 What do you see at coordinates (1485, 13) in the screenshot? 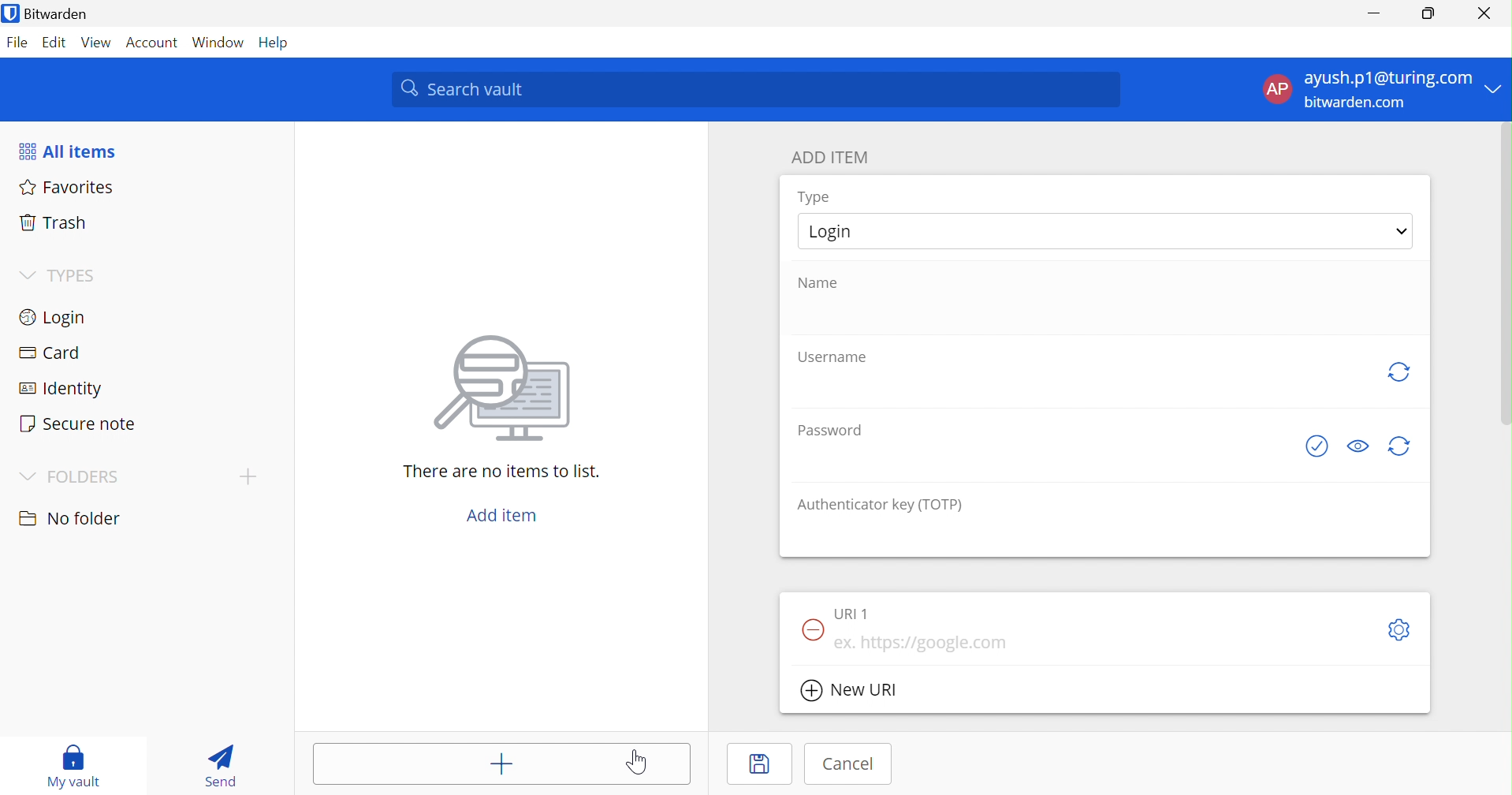
I see `Close` at bounding box center [1485, 13].